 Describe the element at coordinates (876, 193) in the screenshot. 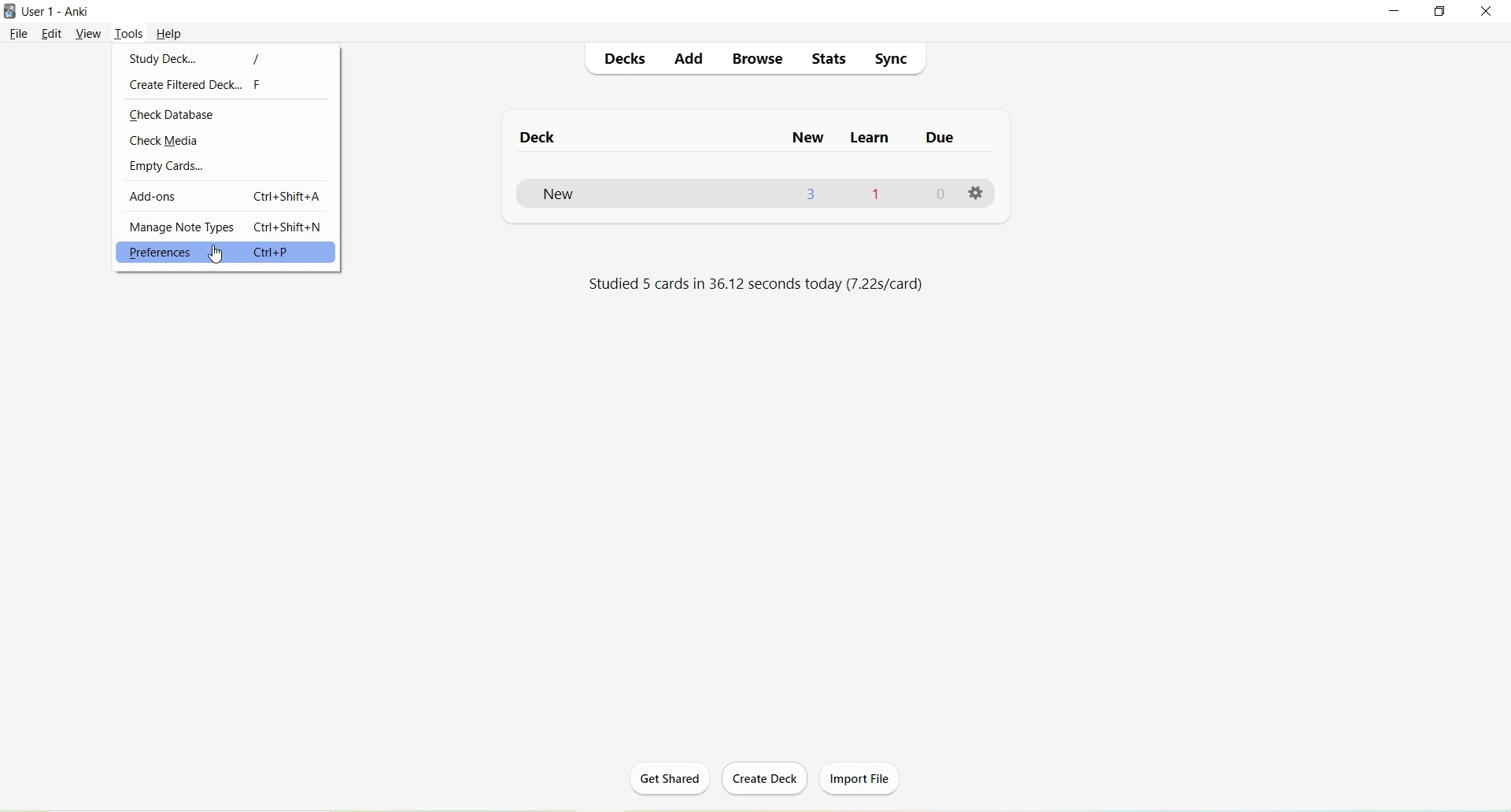

I see `1` at that location.